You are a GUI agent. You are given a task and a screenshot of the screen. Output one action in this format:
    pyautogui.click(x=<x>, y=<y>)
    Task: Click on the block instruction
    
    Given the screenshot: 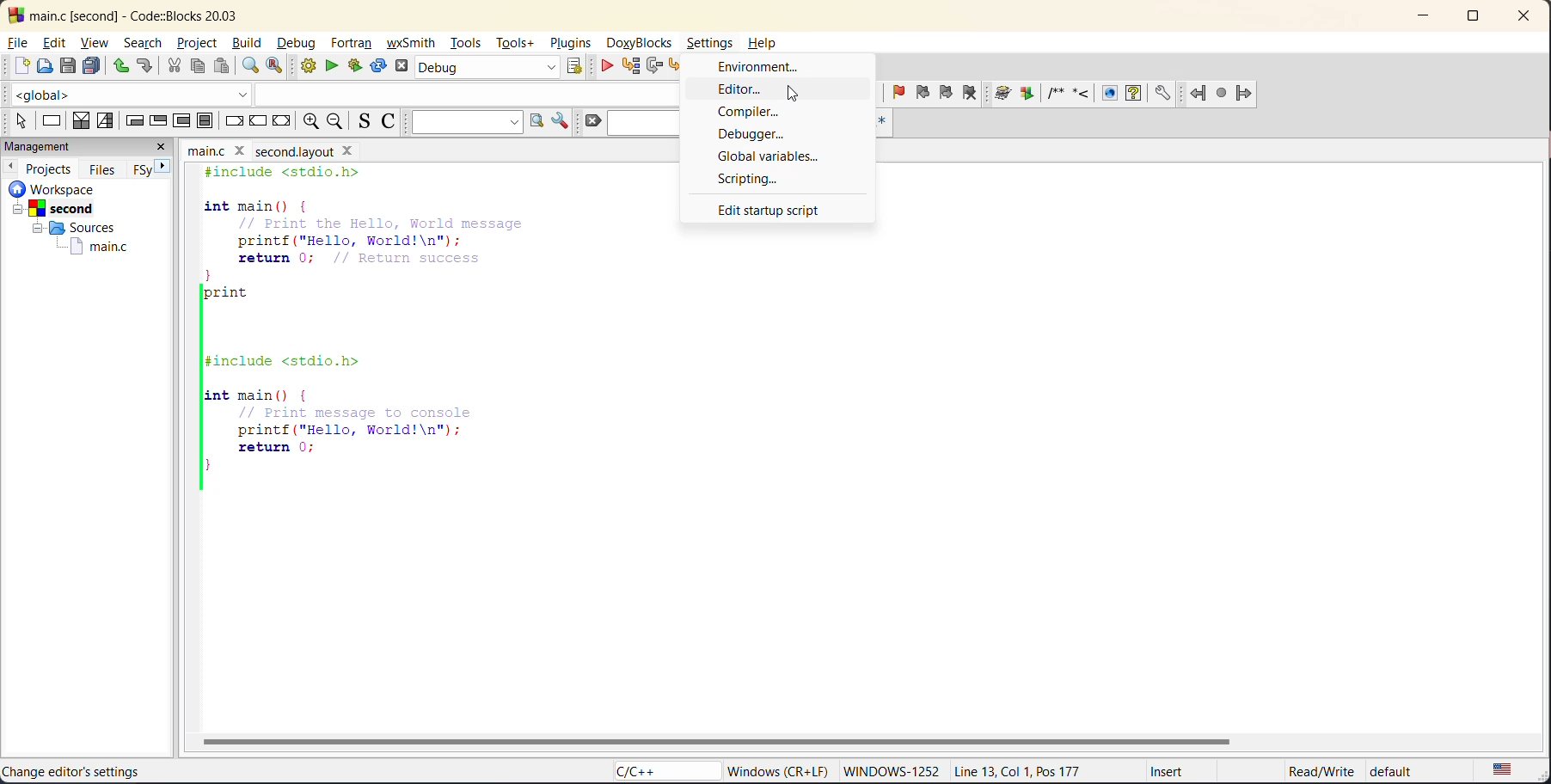 What is the action you would take?
    pyautogui.click(x=205, y=121)
    